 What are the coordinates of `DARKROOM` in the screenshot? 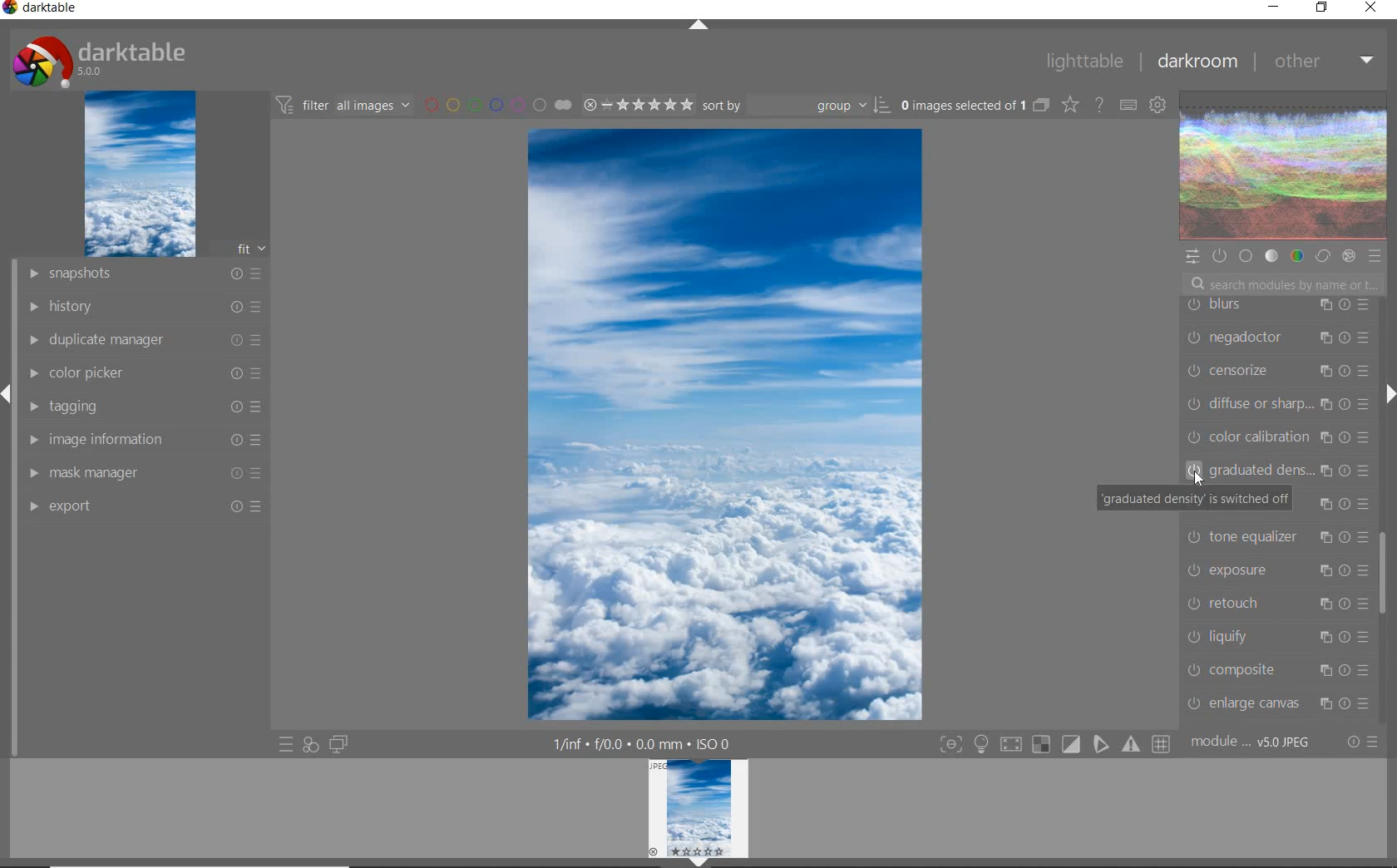 It's located at (1196, 62).